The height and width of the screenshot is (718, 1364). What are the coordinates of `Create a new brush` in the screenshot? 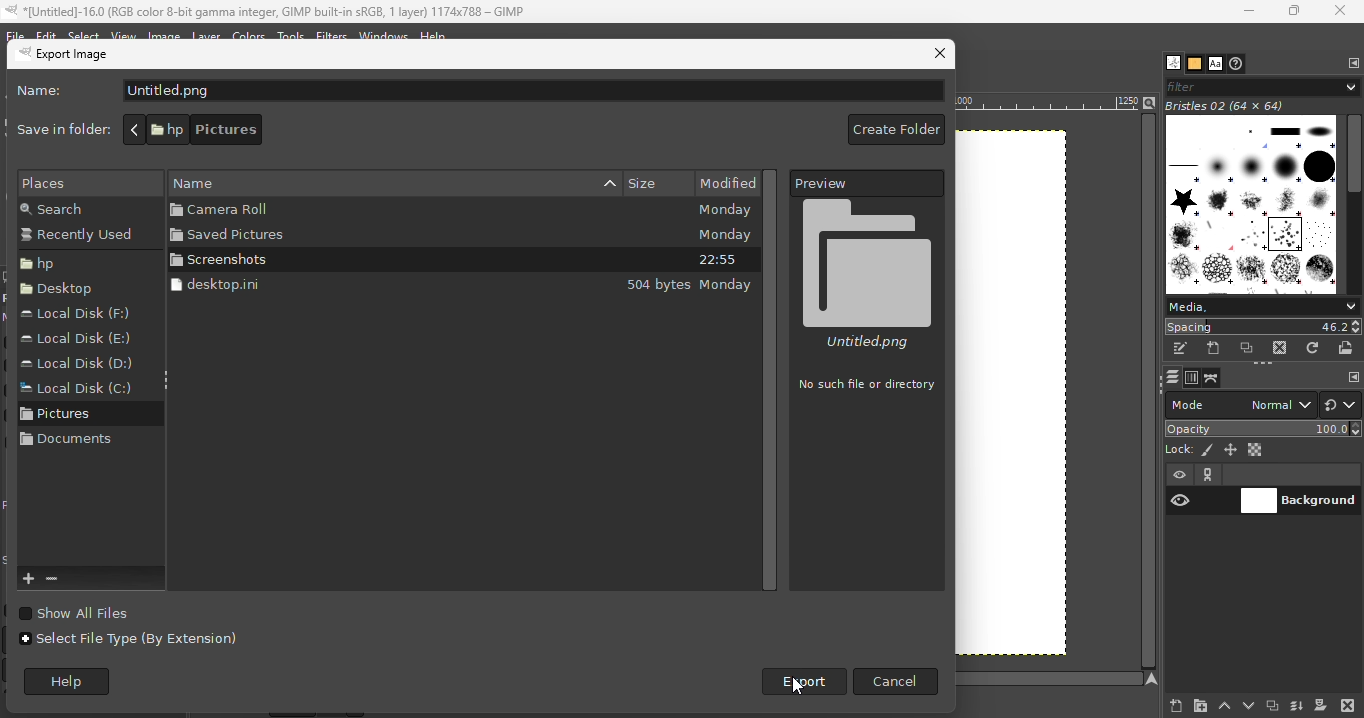 It's located at (1214, 348).